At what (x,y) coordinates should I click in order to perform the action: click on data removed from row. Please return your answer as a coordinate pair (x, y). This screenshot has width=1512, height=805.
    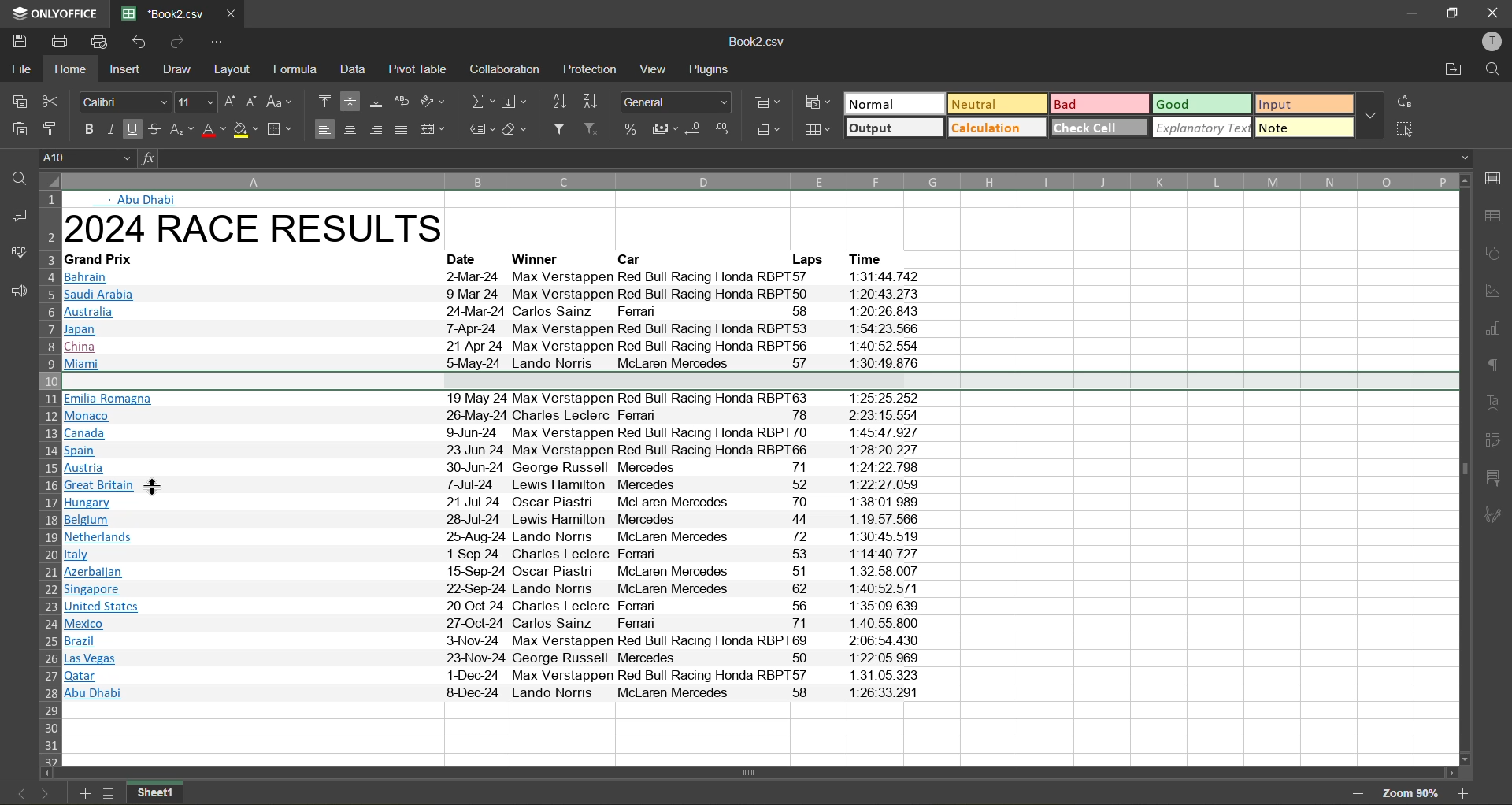
    Looking at the image, I should click on (758, 380).